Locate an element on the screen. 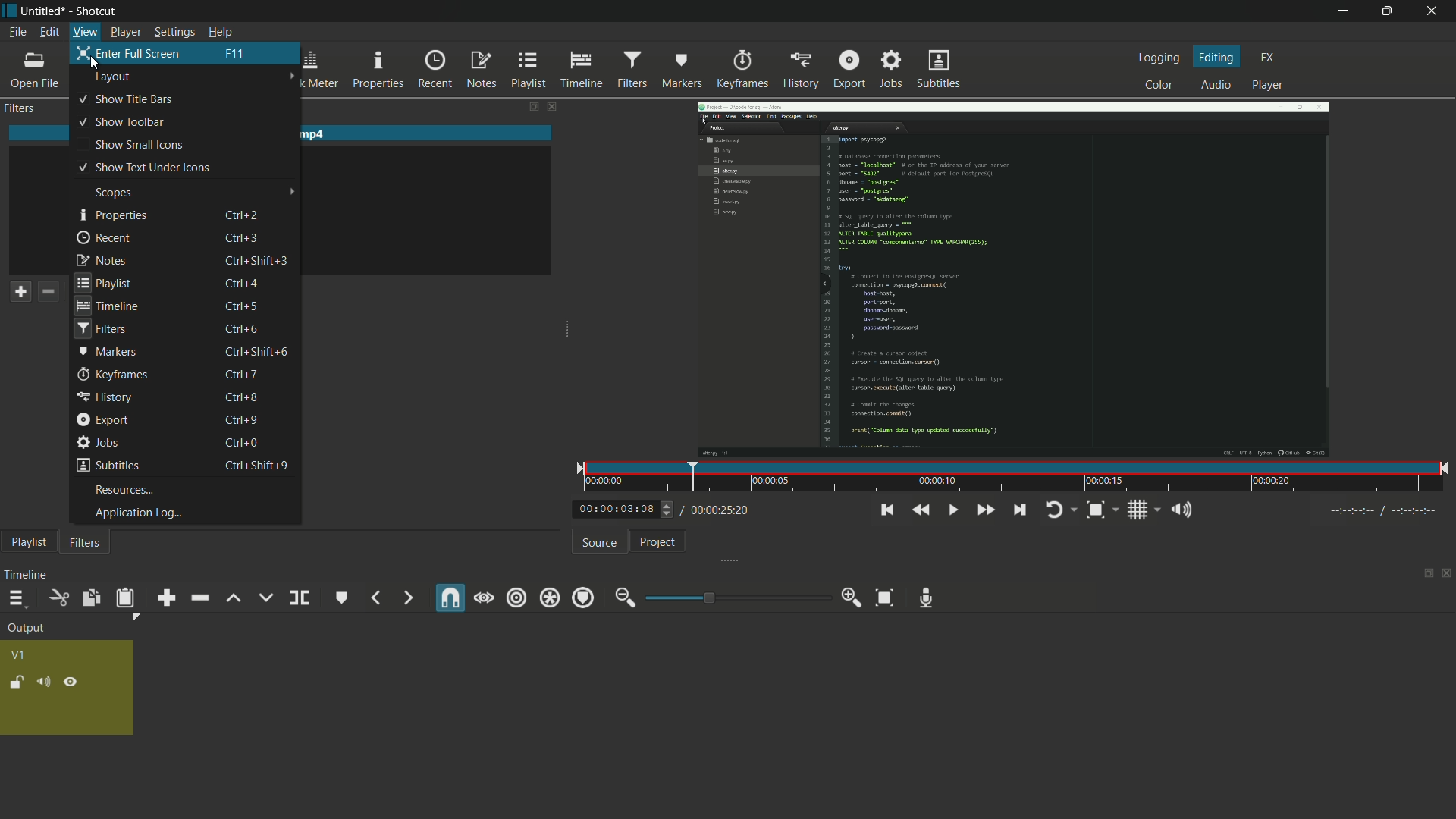 The width and height of the screenshot is (1456, 819). zoom timeline to fit is located at coordinates (886, 598).